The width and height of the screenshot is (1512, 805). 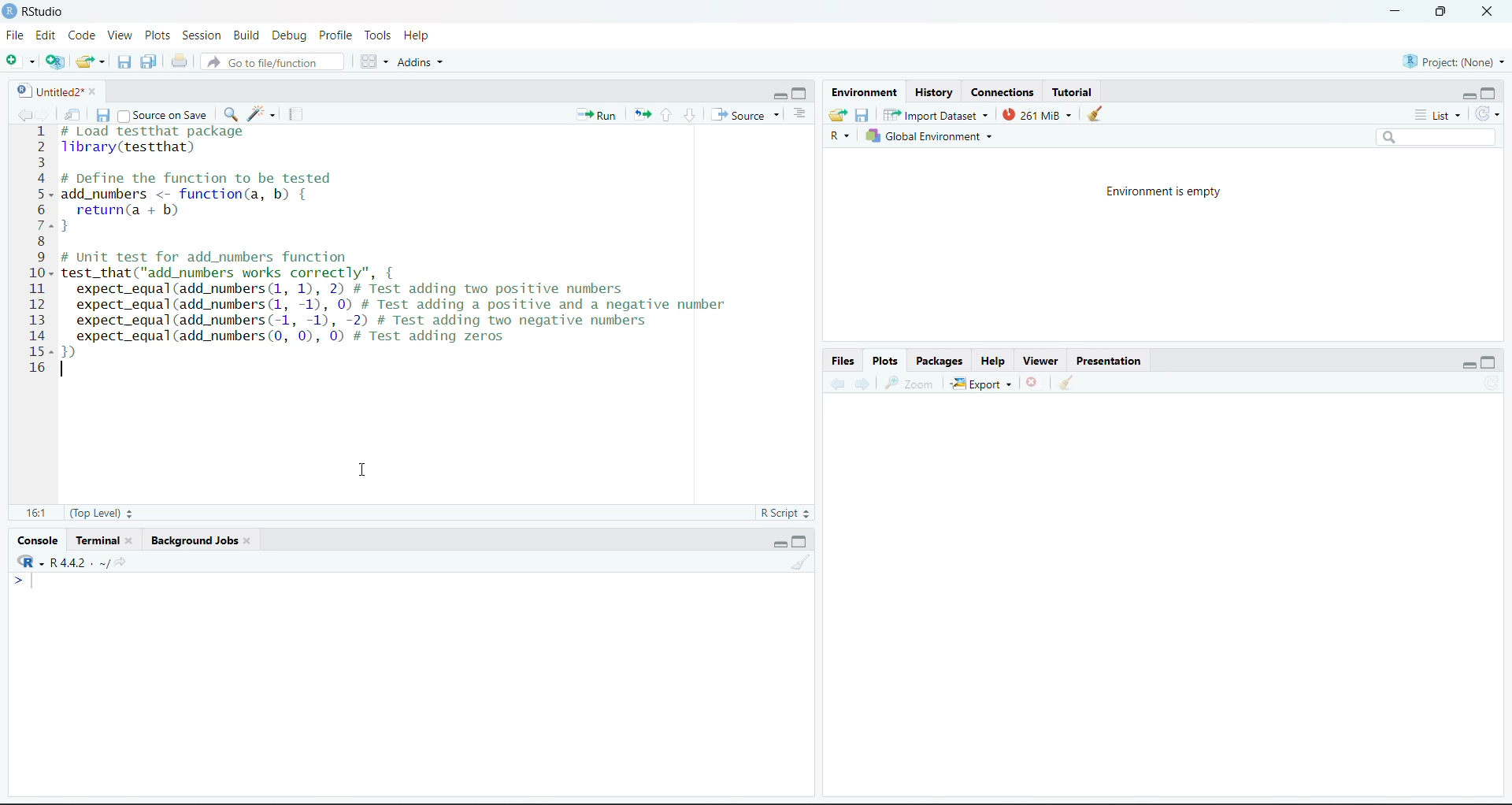 What do you see at coordinates (1436, 137) in the screenshot?
I see `Search bar` at bounding box center [1436, 137].